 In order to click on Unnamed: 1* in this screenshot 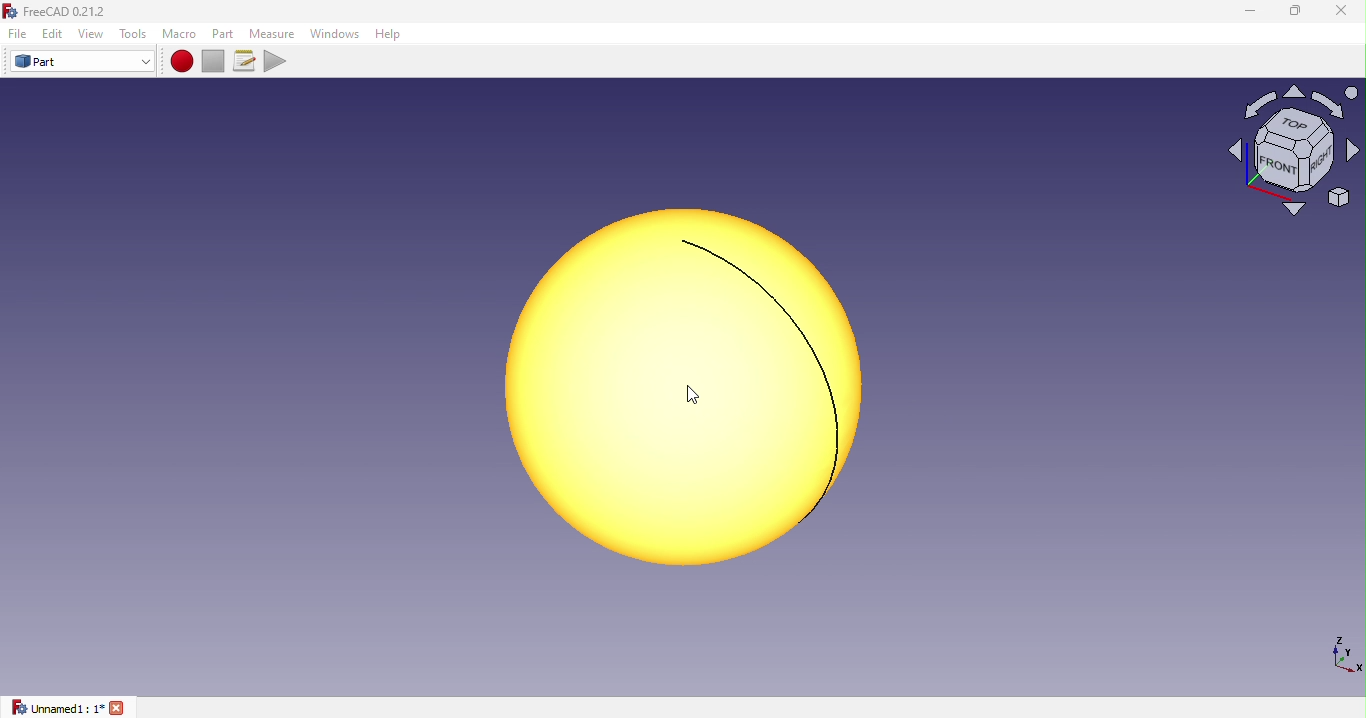, I will do `click(69, 707)`.